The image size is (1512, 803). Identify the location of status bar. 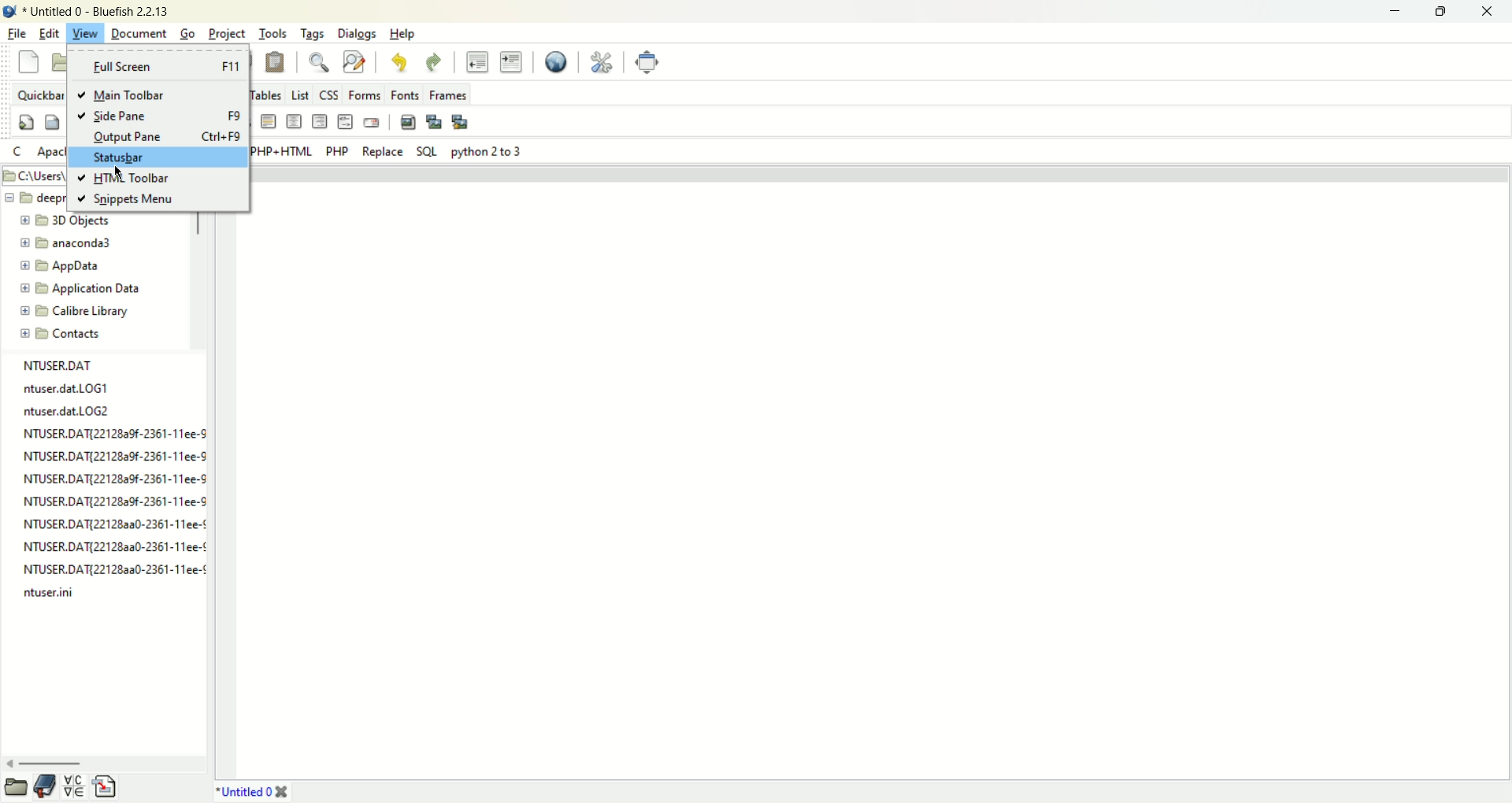
(143, 157).